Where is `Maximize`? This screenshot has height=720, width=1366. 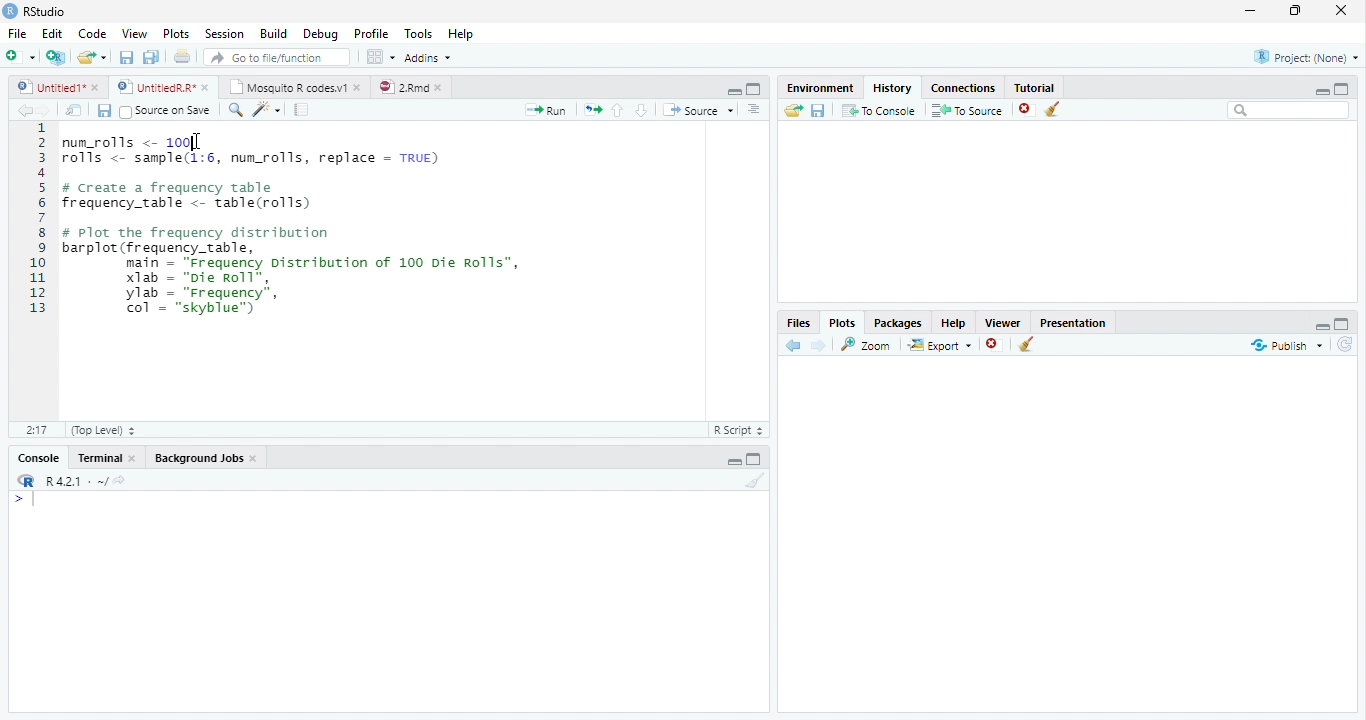 Maximize is located at coordinates (1296, 11).